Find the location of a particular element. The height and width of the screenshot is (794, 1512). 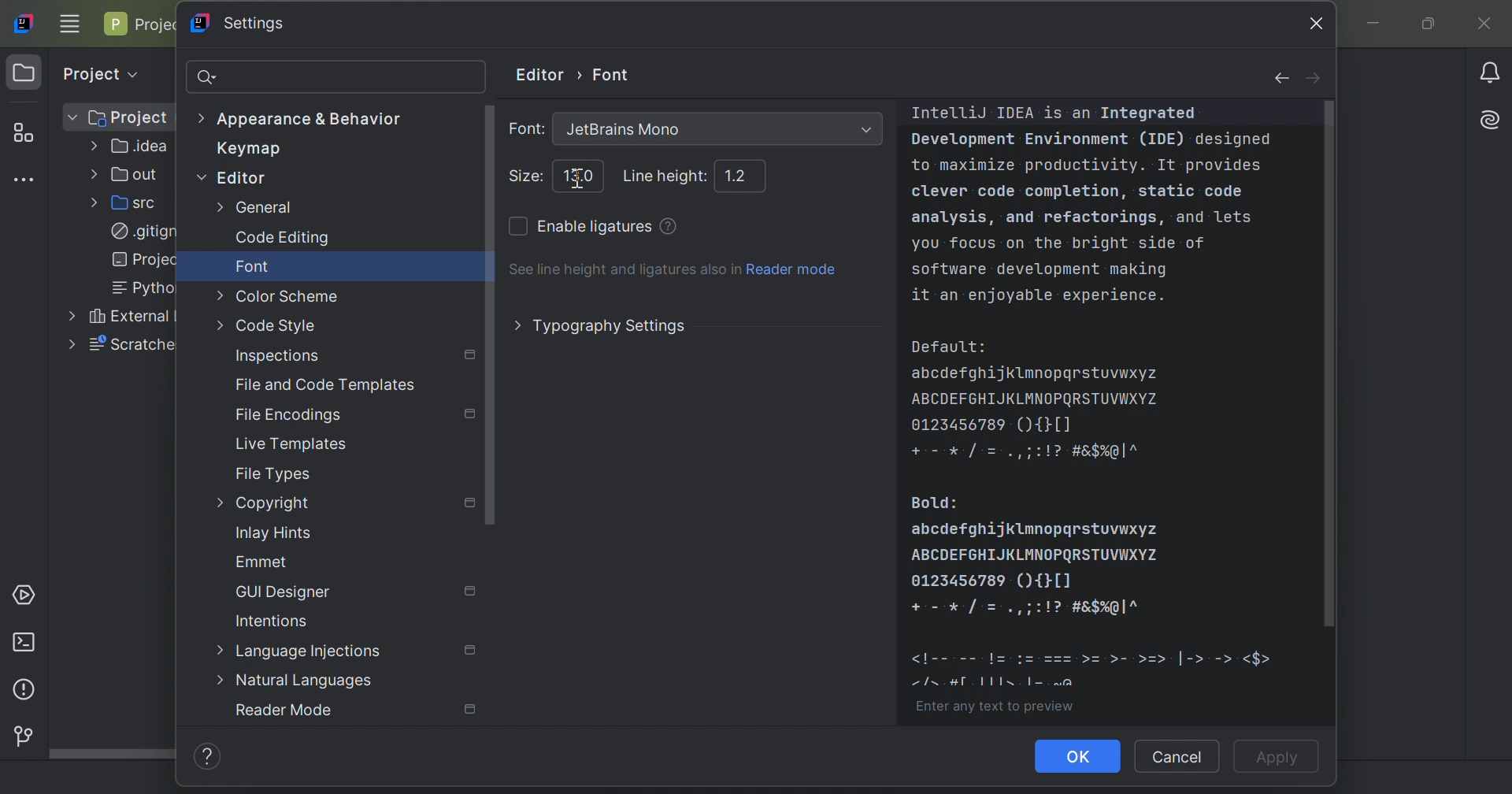

Cancel is located at coordinates (1177, 756).